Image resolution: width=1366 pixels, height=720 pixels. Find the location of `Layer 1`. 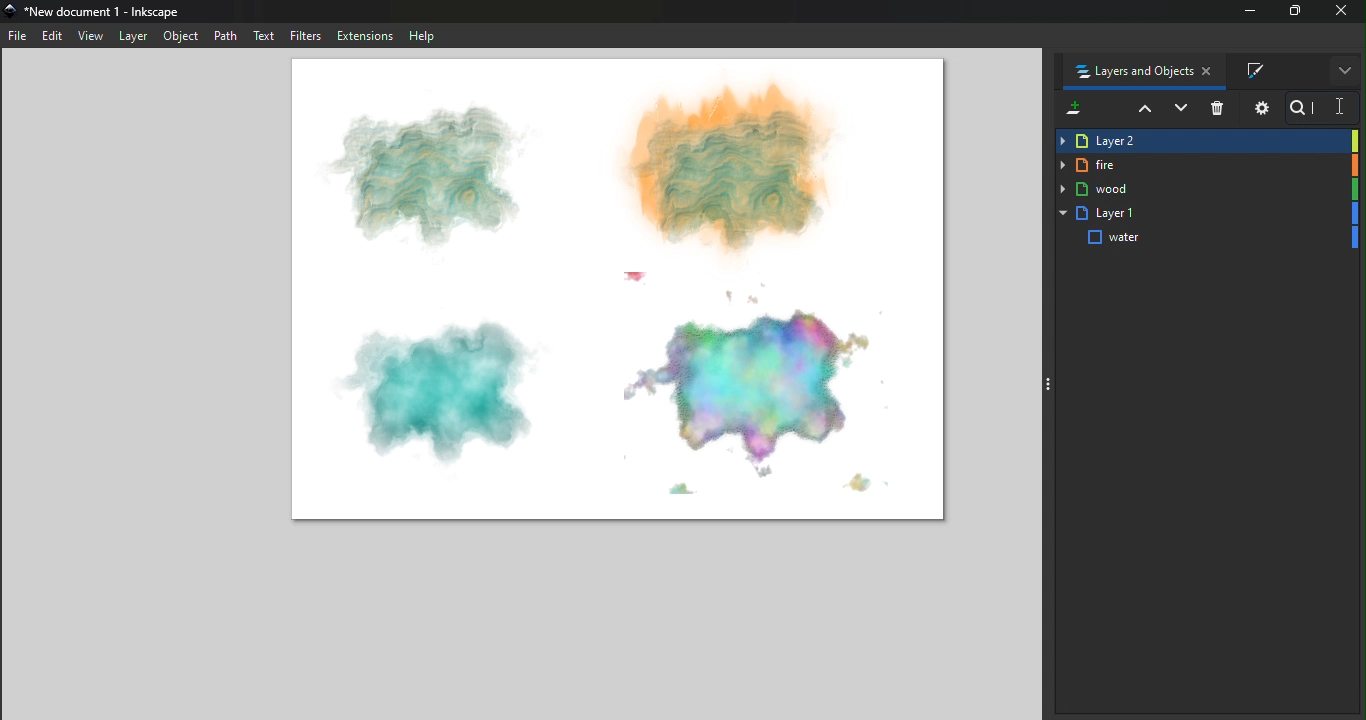

Layer 1 is located at coordinates (1208, 214).